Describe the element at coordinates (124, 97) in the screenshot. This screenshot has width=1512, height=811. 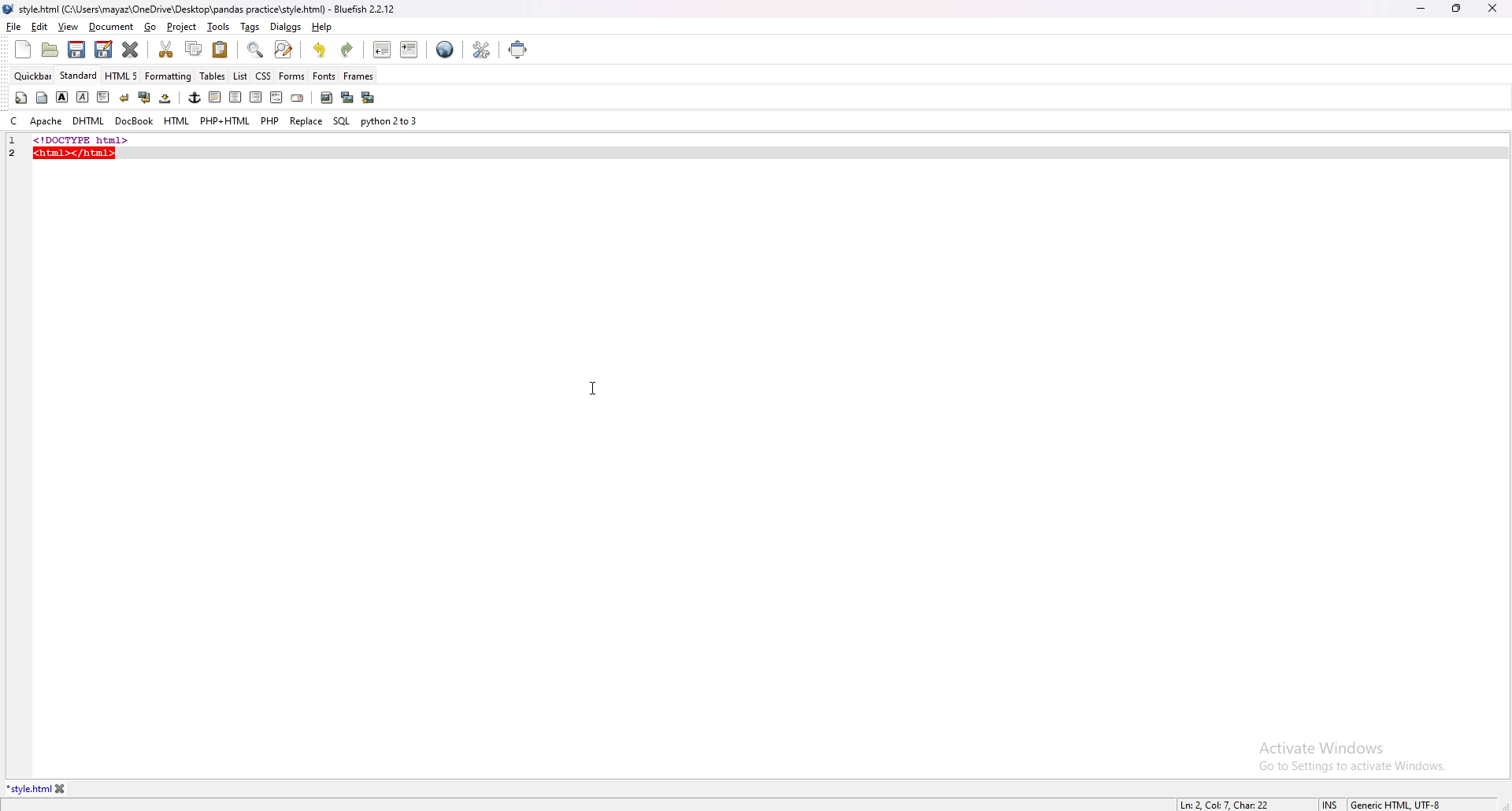
I see `break` at that location.